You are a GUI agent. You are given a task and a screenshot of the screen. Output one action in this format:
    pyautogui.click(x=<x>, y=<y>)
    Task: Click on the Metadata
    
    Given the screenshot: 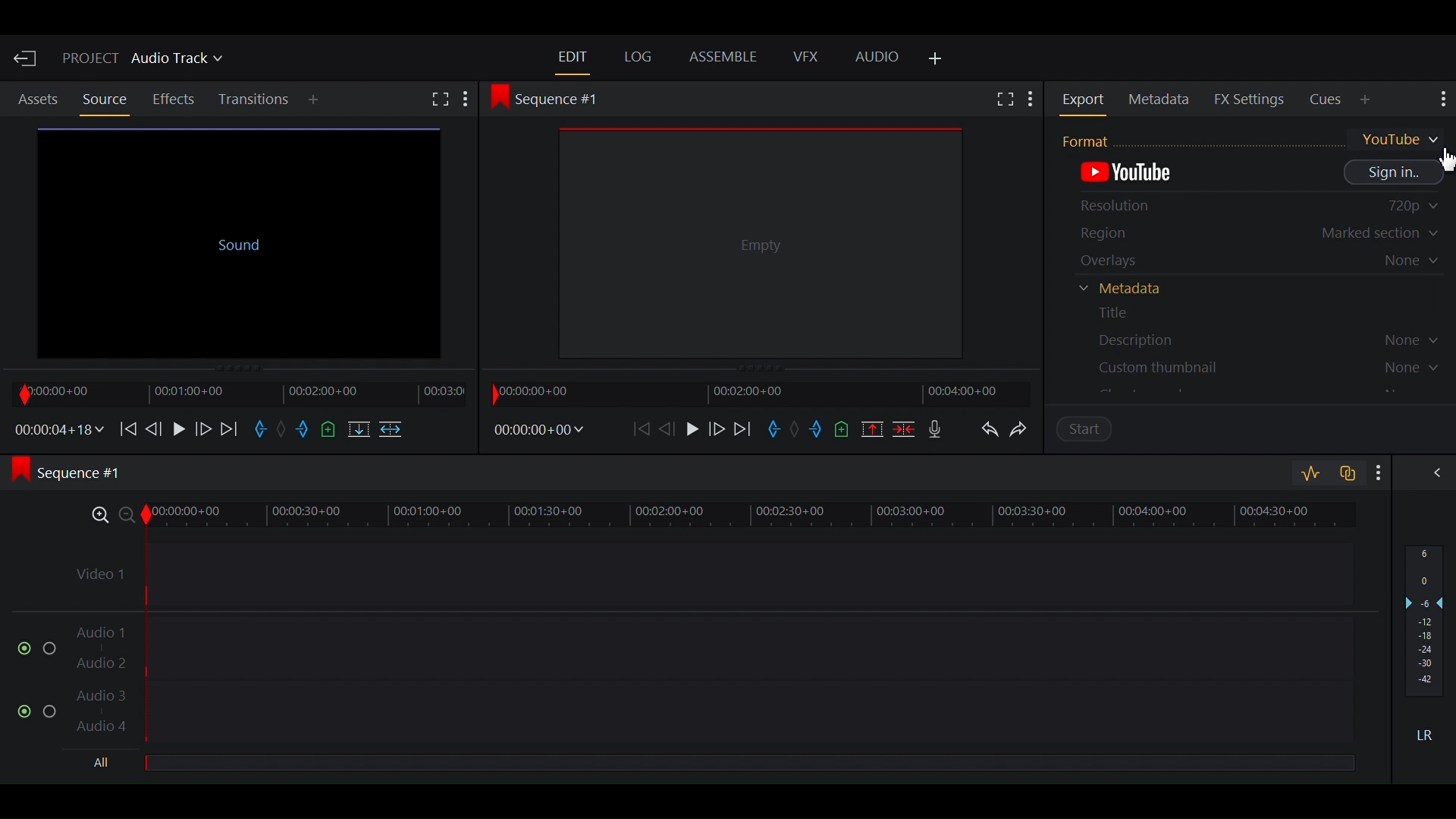 What is the action you would take?
    pyautogui.click(x=1129, y=290)
    